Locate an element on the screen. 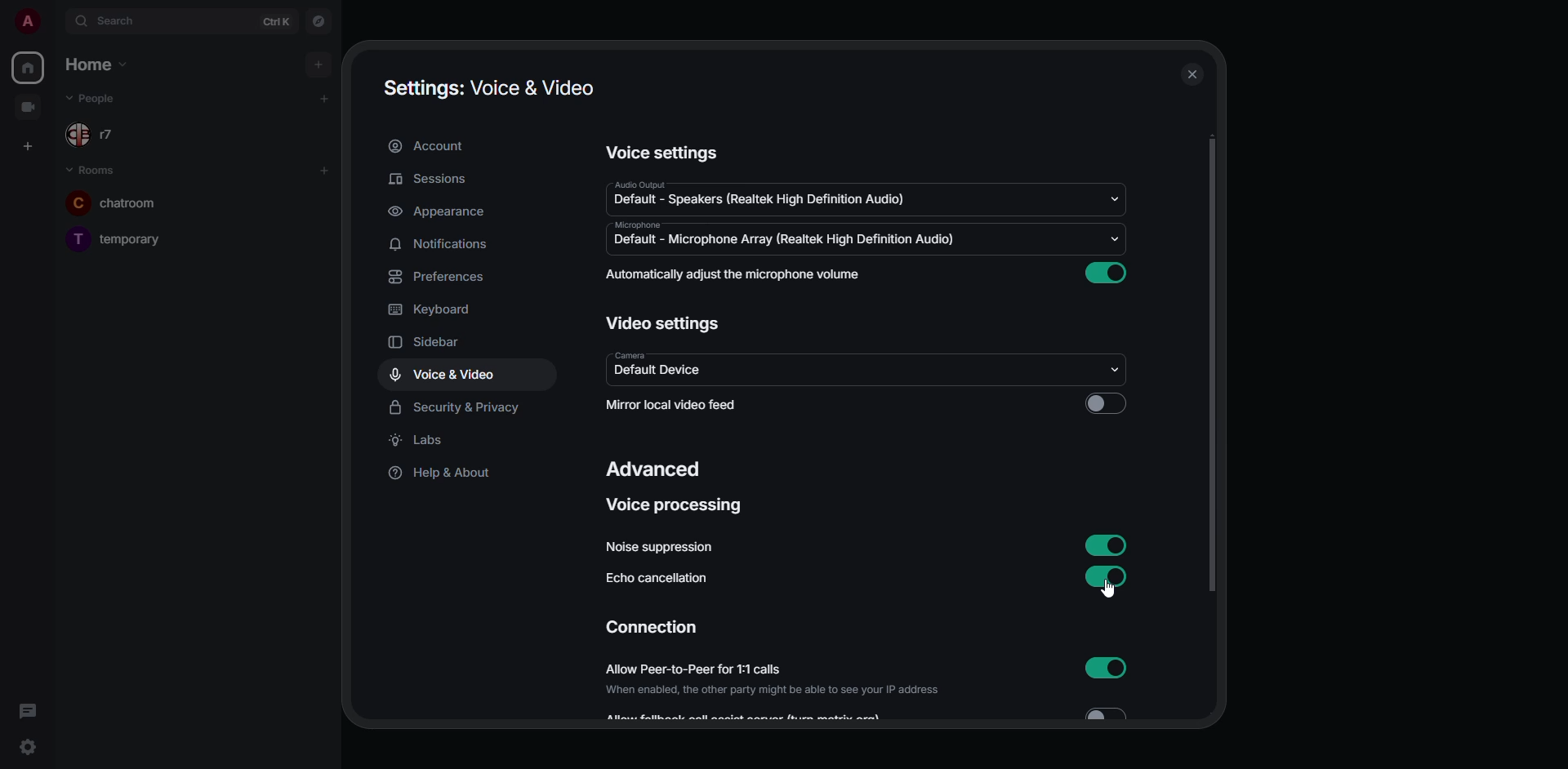  close is located at coordinates (1193, 74).